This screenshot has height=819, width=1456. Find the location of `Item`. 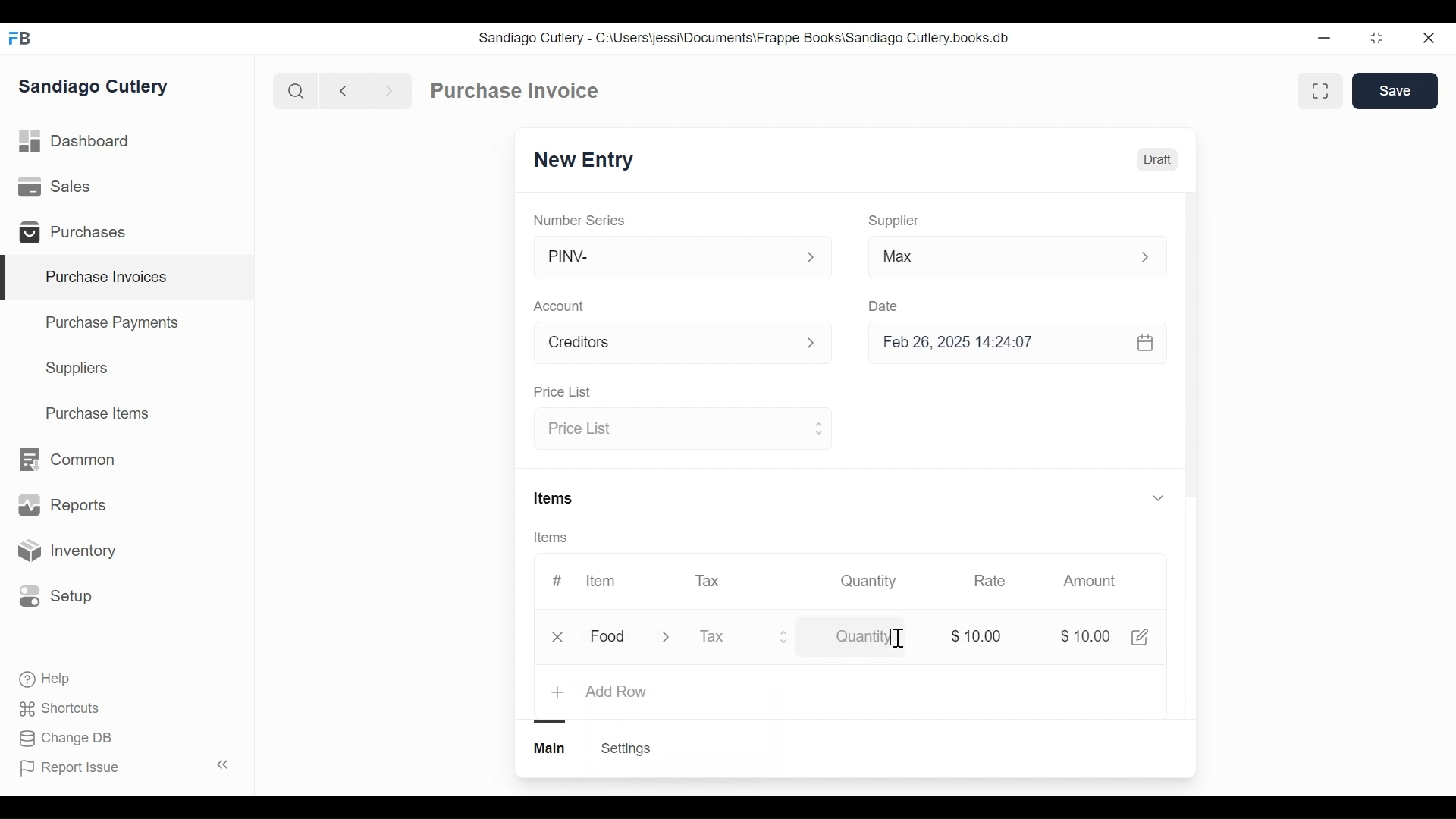

Item is located at coordinates (599, 581).